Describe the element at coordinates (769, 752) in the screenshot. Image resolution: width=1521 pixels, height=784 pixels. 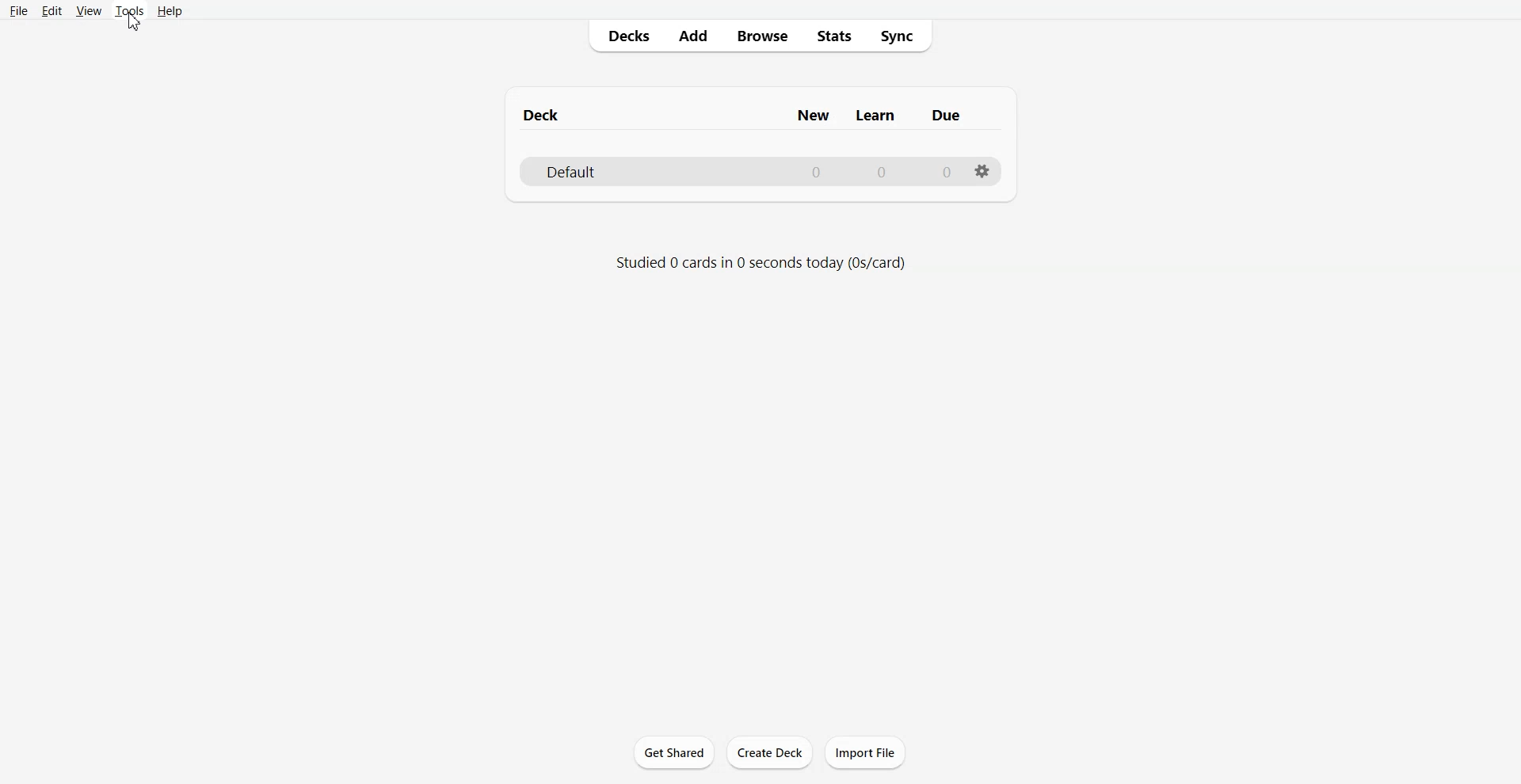
I see `Create Deck` at that location.